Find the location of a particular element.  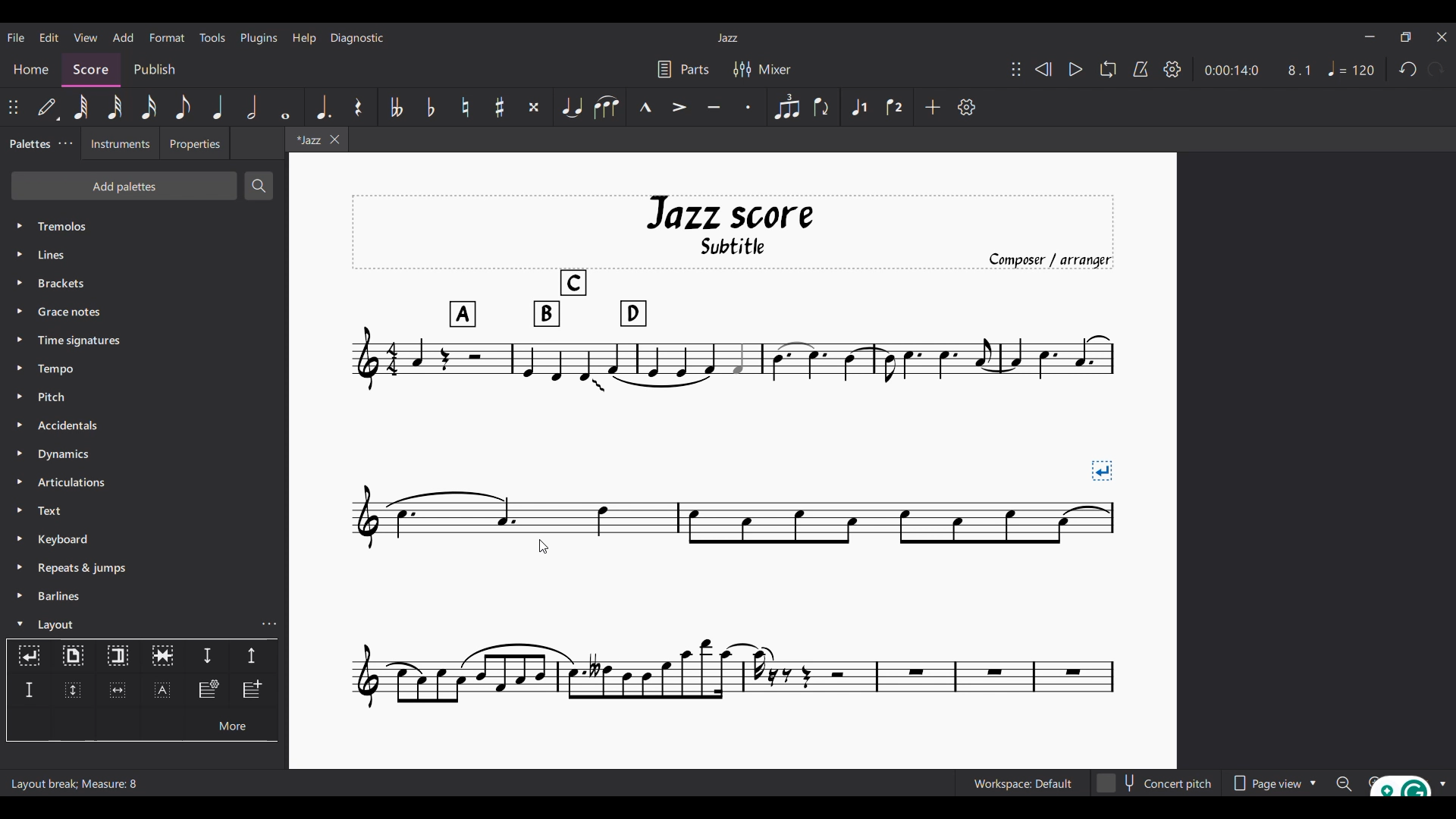

Toggle double sharp is located at coordinates (535, 107).